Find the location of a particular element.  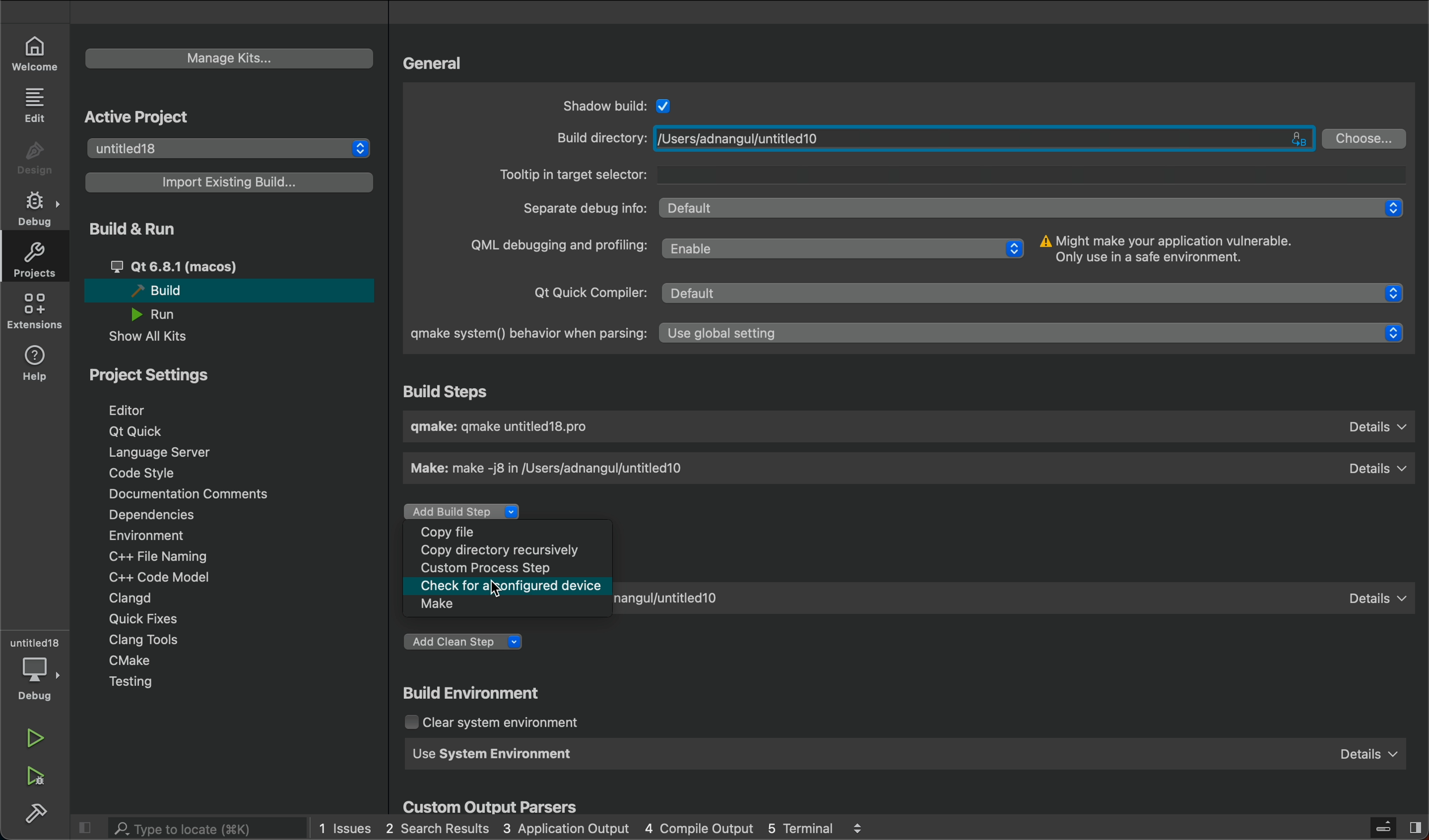

debug is located at coordinates (34, 683).